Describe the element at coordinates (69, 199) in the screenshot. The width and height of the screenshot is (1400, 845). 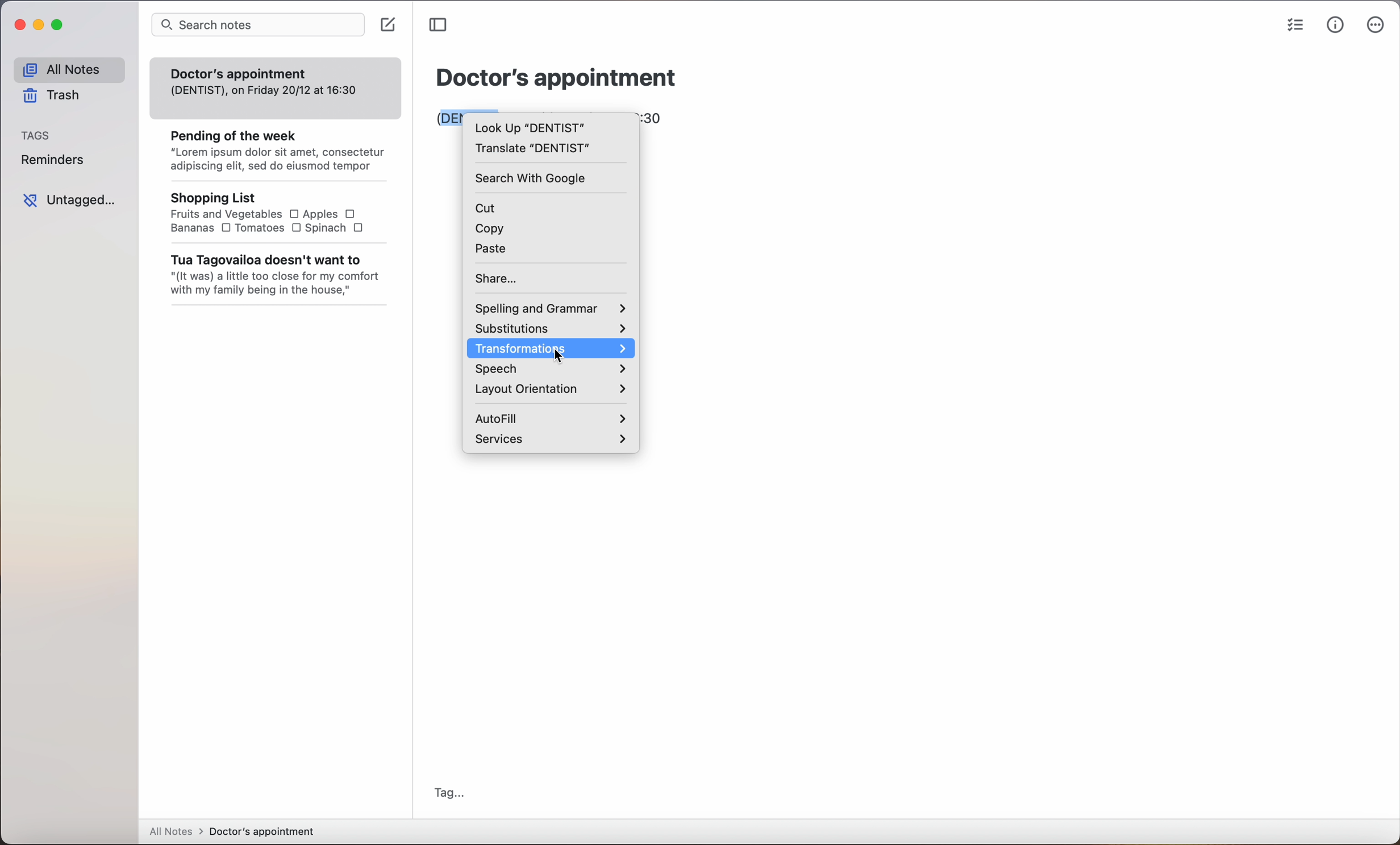
I see `untagged` at that location.